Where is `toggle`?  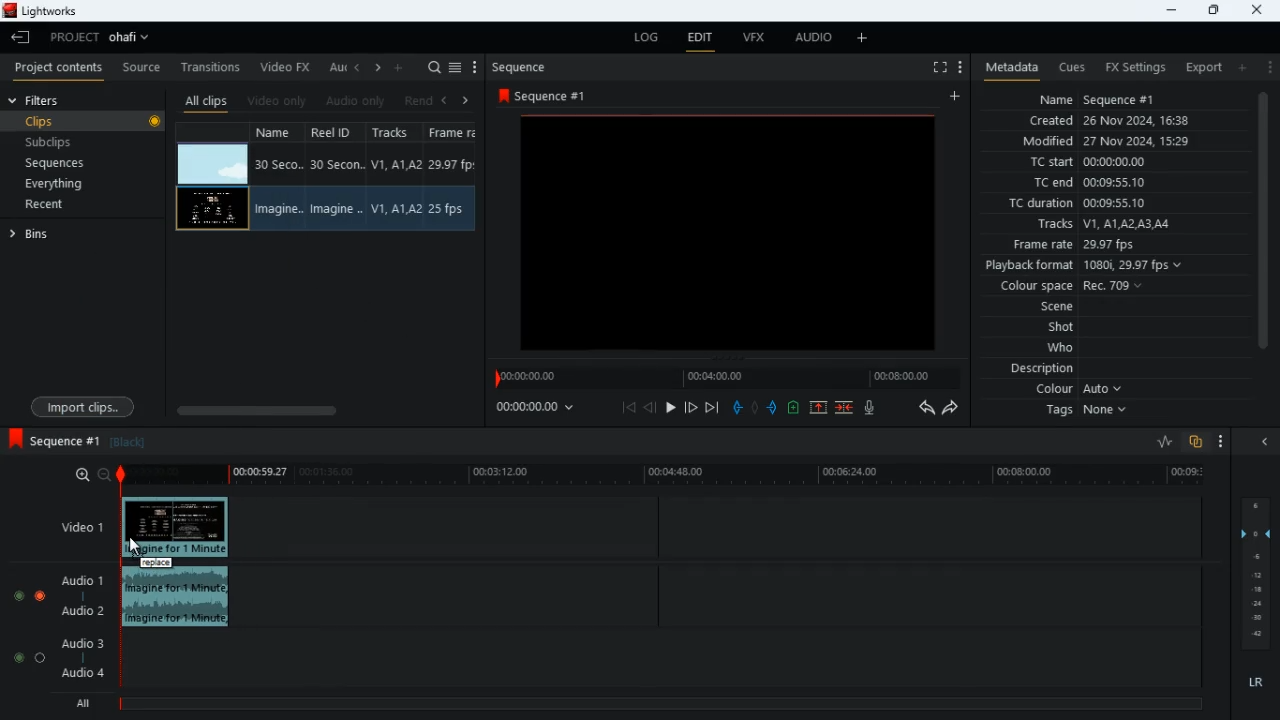 toggle is located at coordinates (17, 593).